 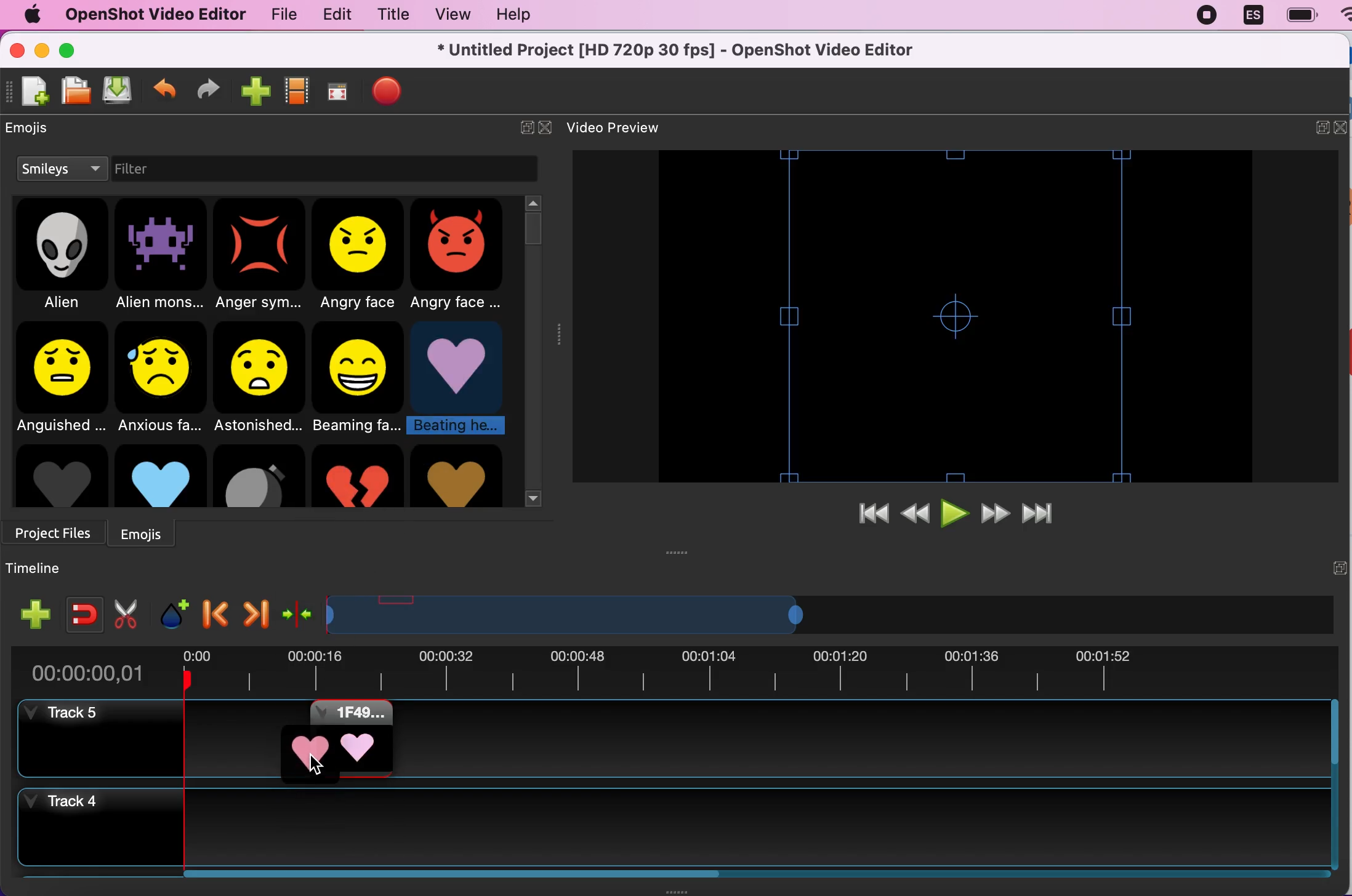 I want to click on cursor, so click(x=318, y=764).